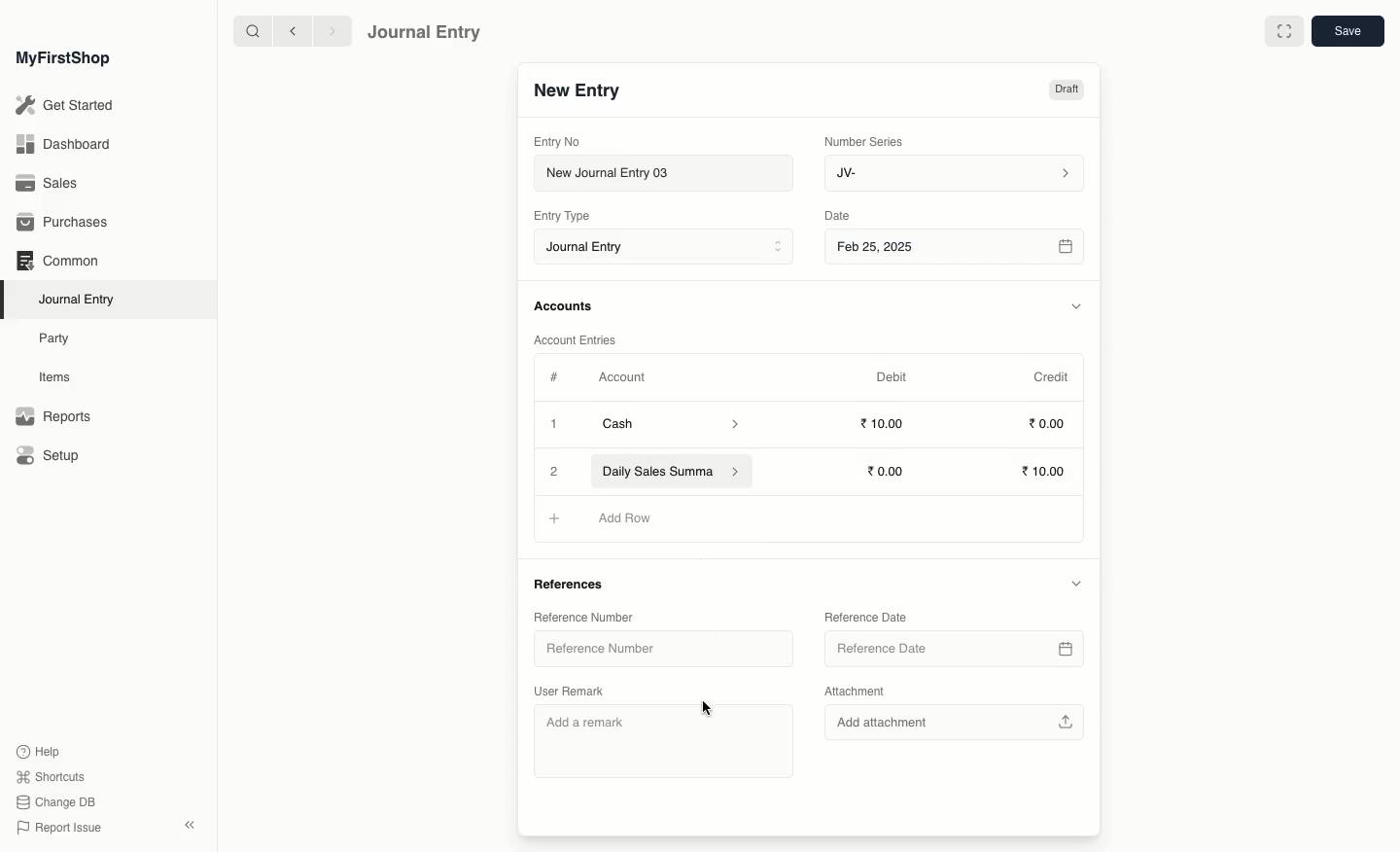 Image resolution: width=1400 pixels, height=852 pixels. I want to click on Collapse, so click(190, 825).